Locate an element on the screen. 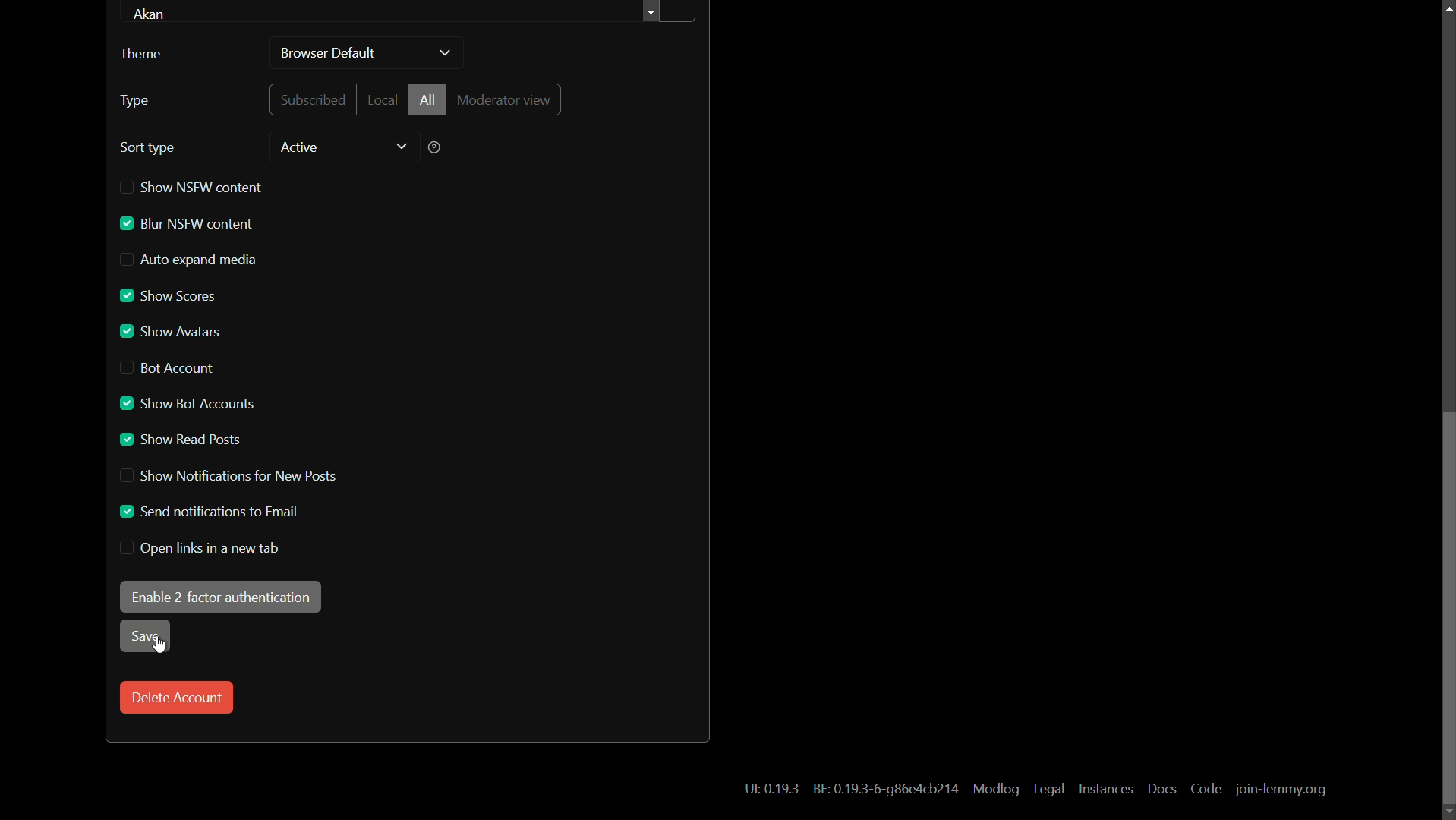  show nsfw content is located at coordinates (195, 186).